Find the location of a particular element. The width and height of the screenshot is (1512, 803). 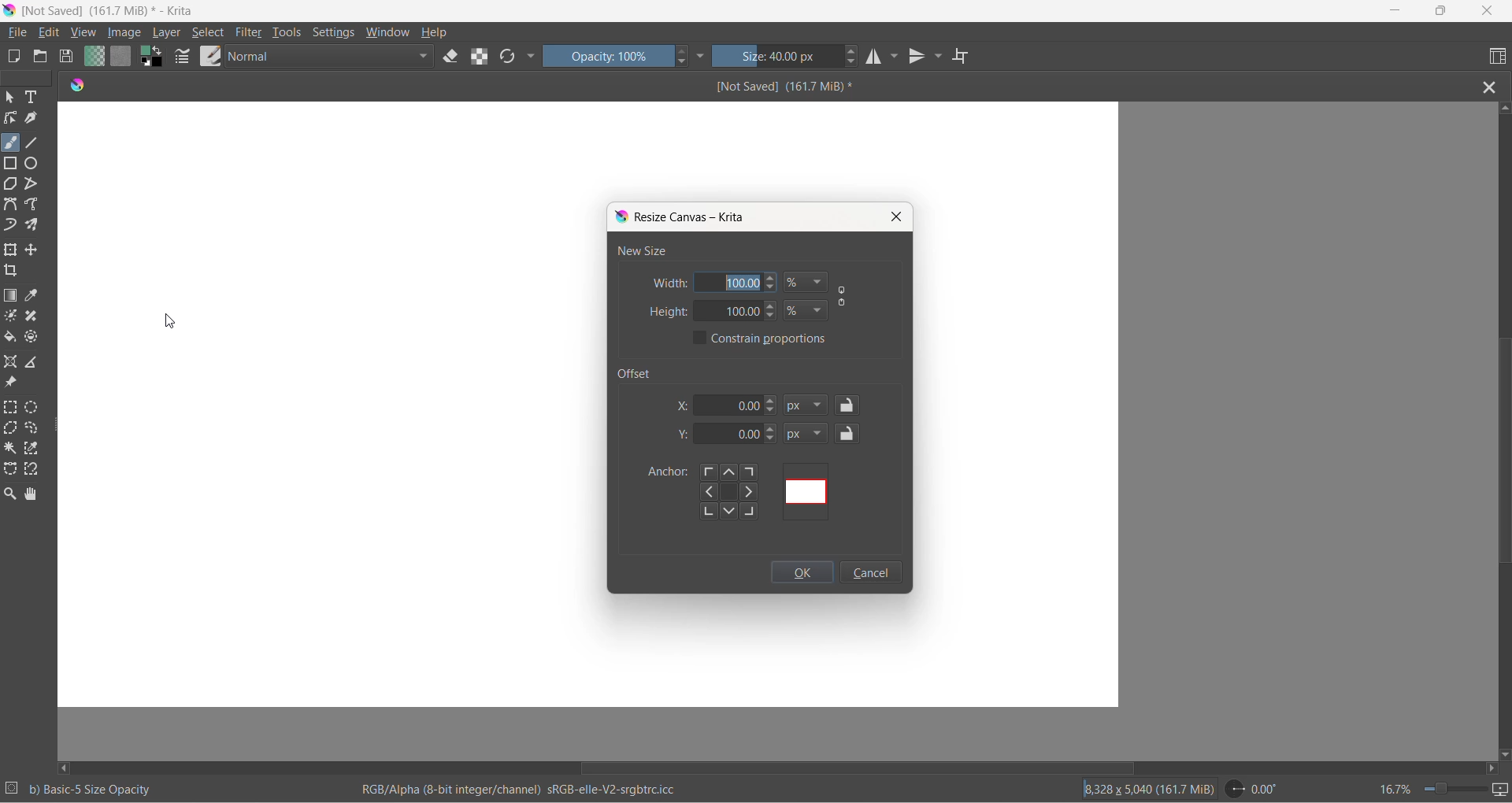

elliptical selection tool is located at coordinates (35, 407).